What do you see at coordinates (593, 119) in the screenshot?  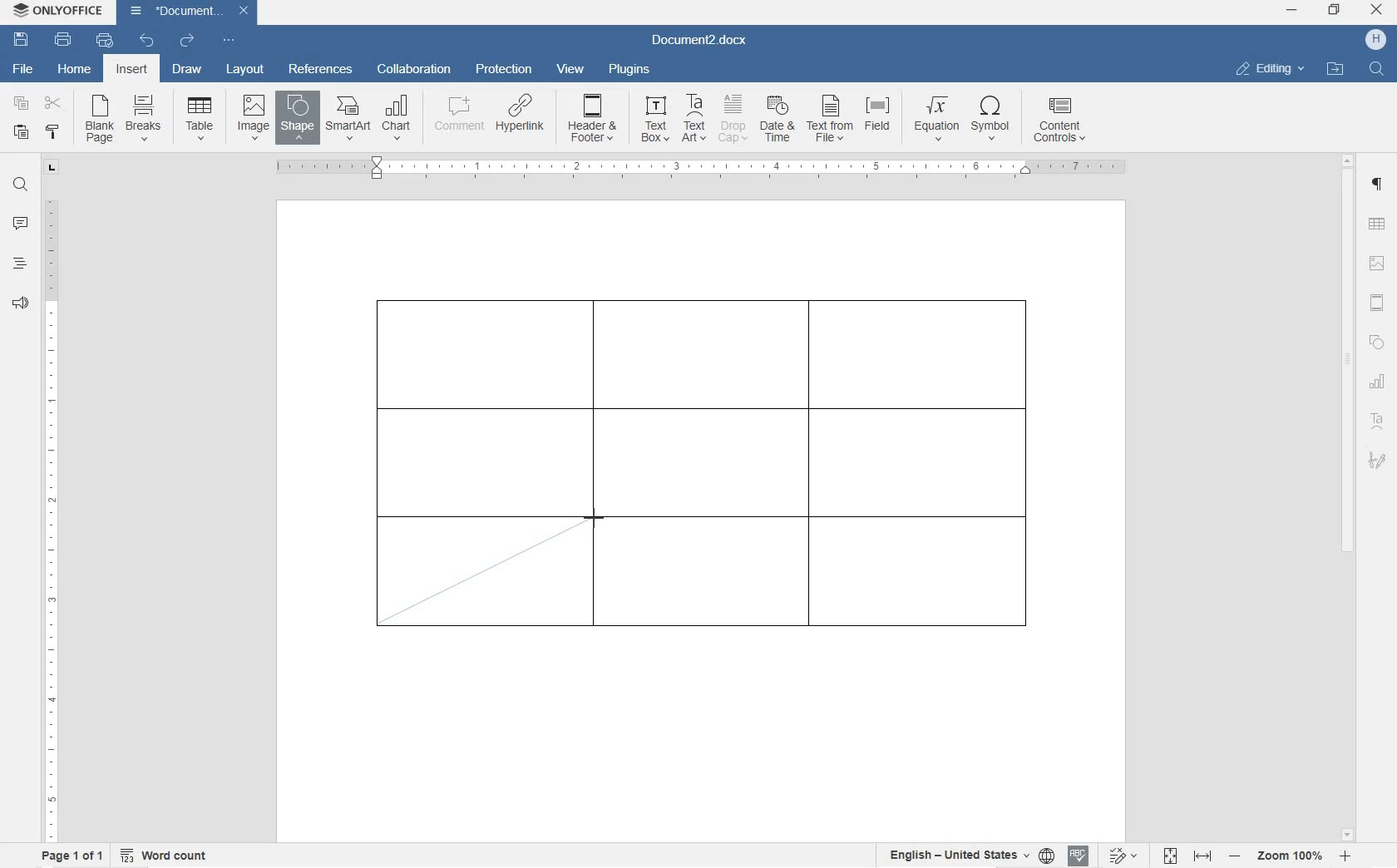 I see `HEADER & OOTER` at bounding box center [593, 119].